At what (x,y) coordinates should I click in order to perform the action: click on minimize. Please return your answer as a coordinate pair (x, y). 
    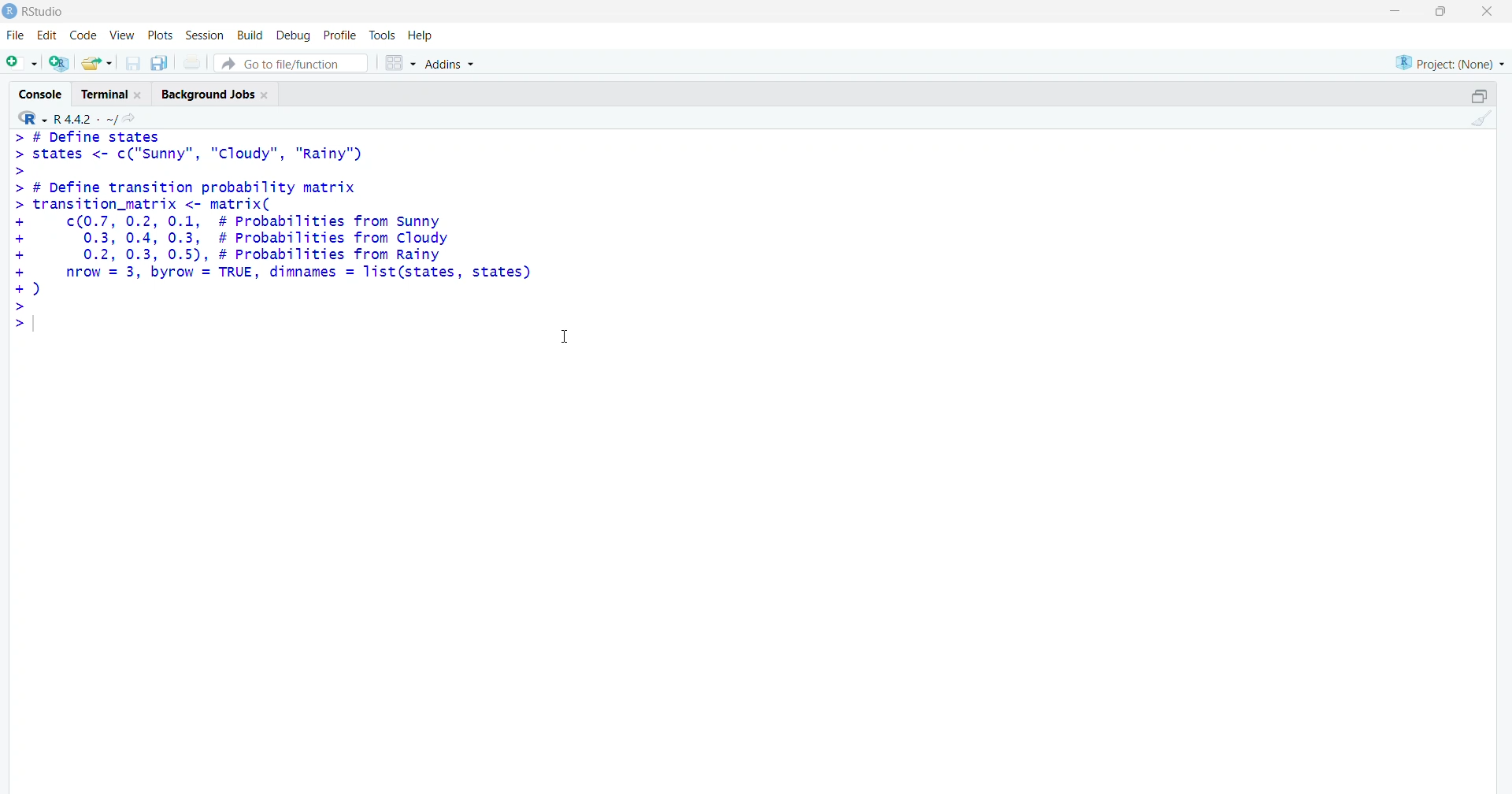
    Looking at the image, I should click on (1392, 11).